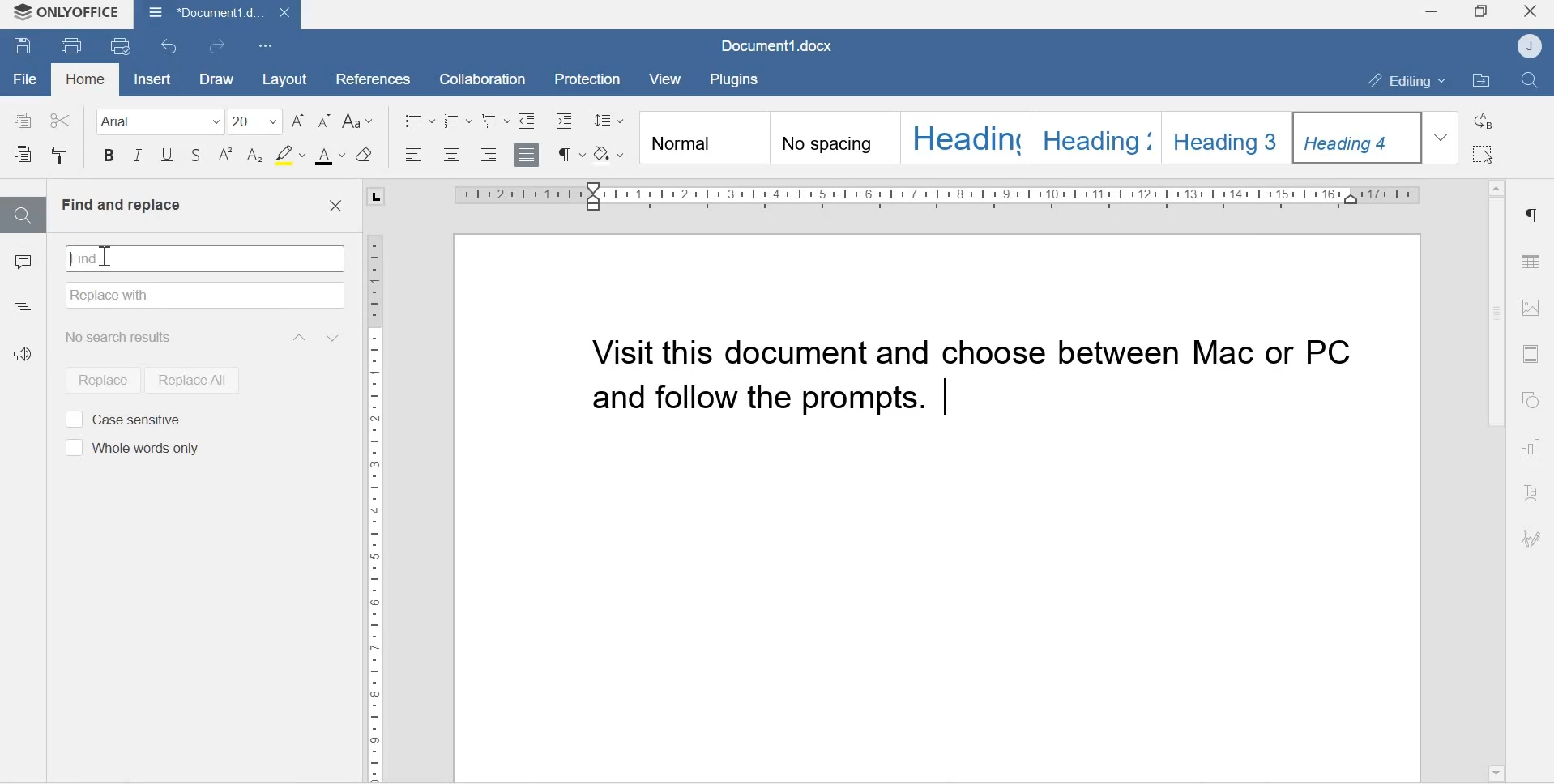 The image size is (1554, 784). I want to click on Shapes, so click(1534, 401).